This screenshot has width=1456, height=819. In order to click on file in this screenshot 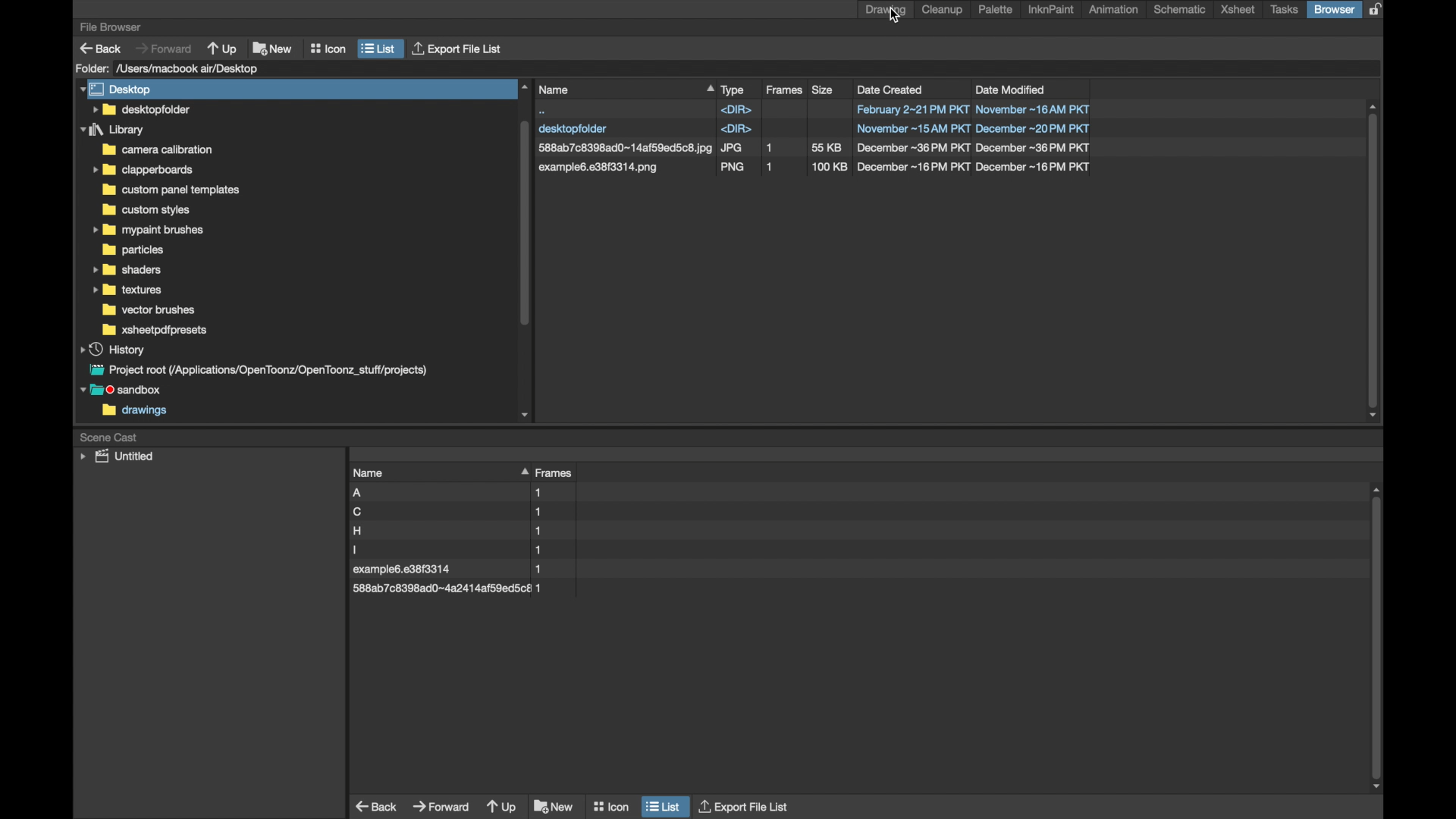, I will do `click(449, 550)`.